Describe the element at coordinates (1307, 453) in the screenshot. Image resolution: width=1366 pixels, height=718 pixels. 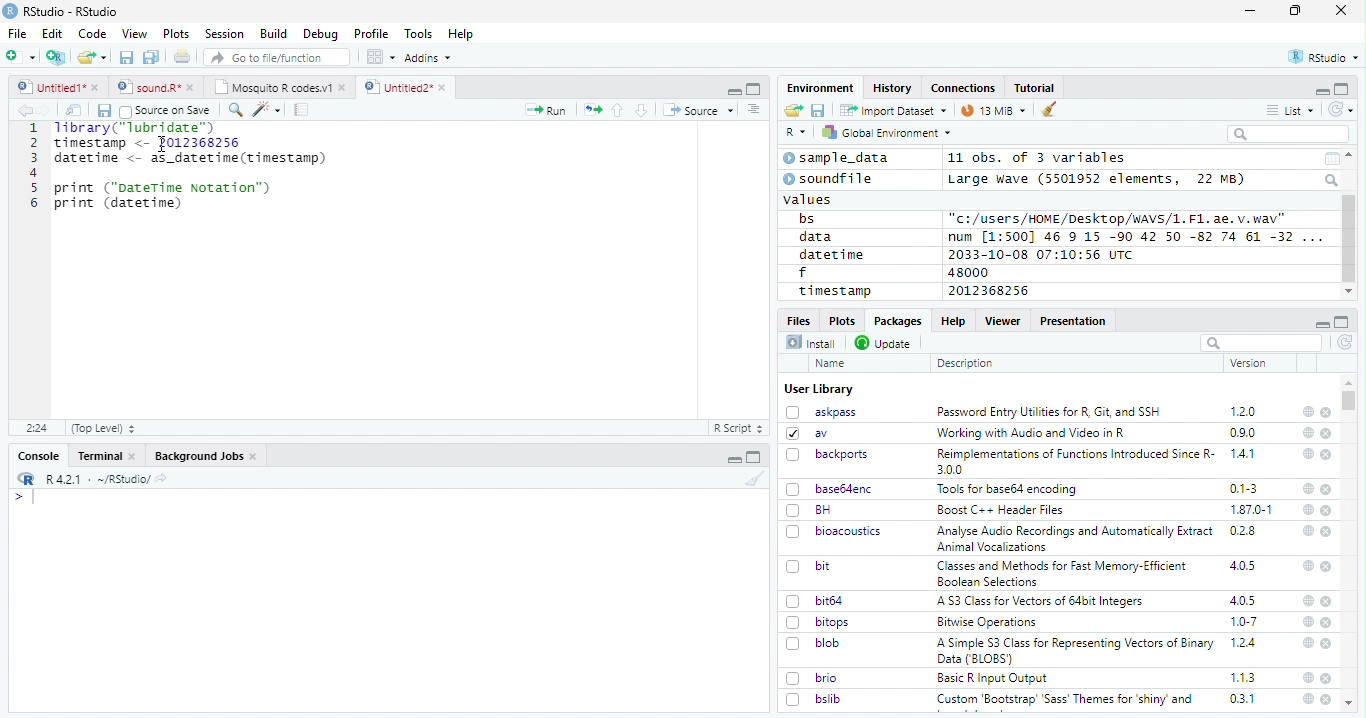
I see `help` at that location.